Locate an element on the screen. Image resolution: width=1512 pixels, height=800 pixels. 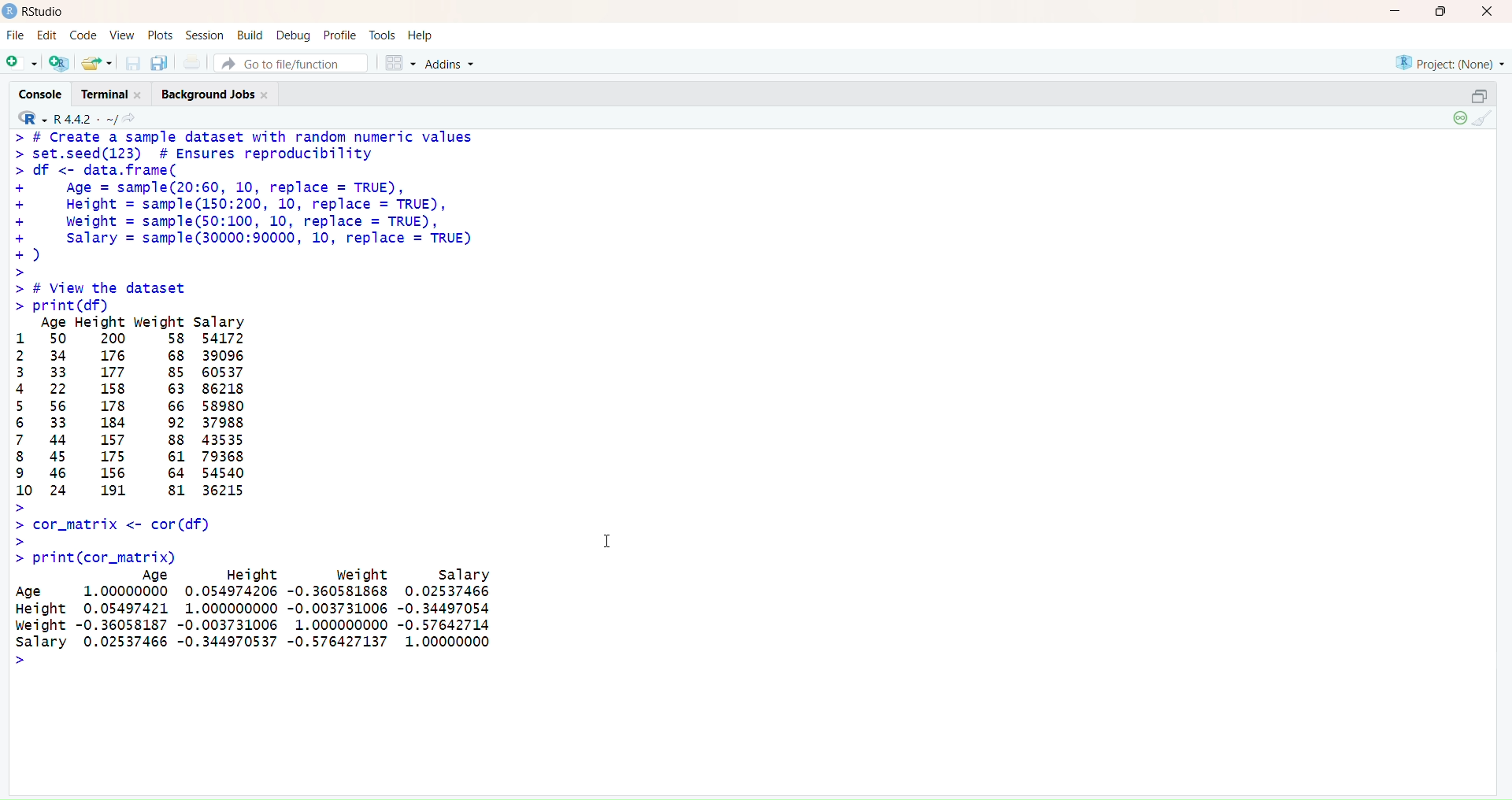
Tools is located at coordinates (381, 34).